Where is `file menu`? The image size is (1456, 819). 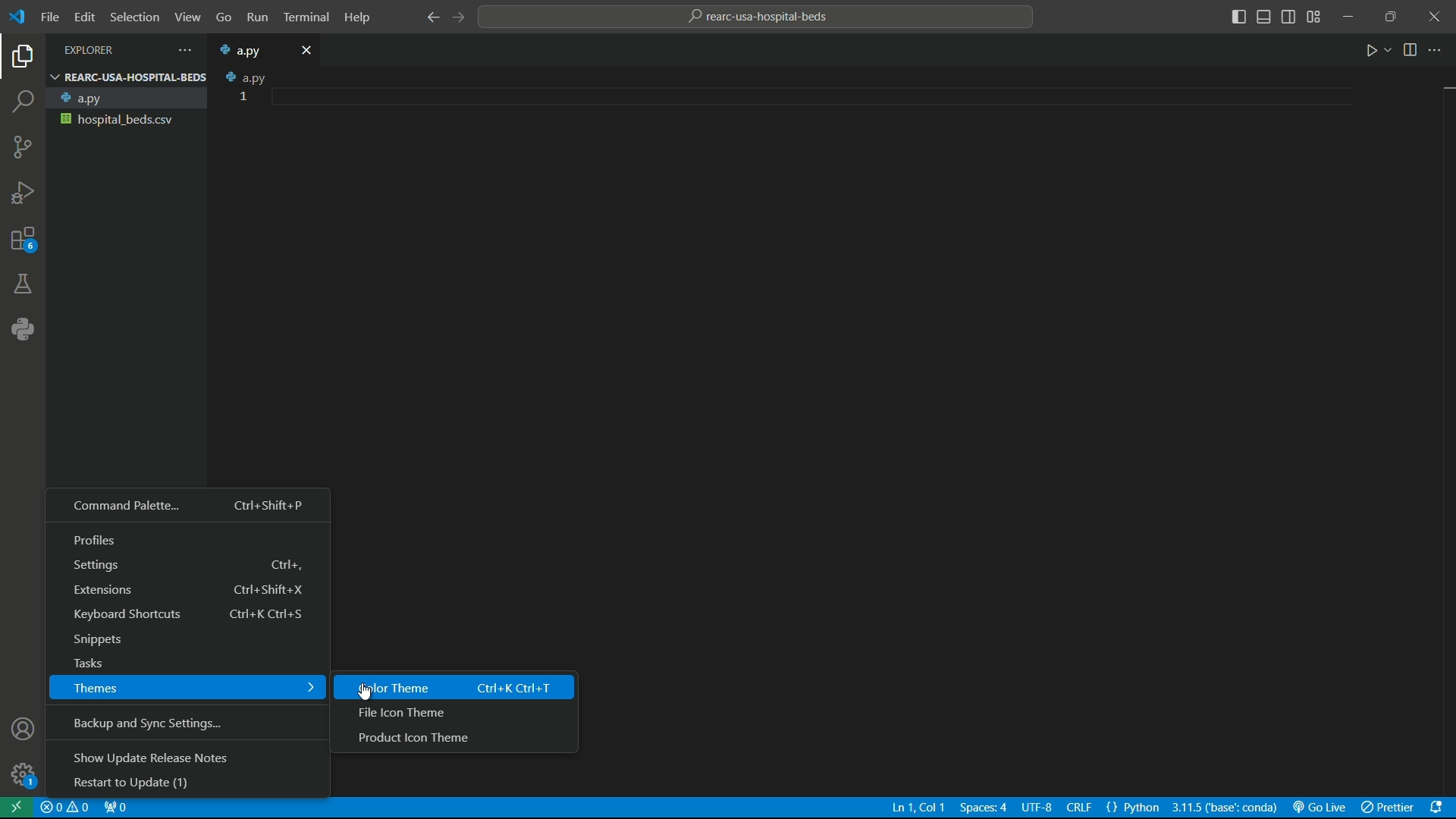 file menu is located at coordinates (50, 17).